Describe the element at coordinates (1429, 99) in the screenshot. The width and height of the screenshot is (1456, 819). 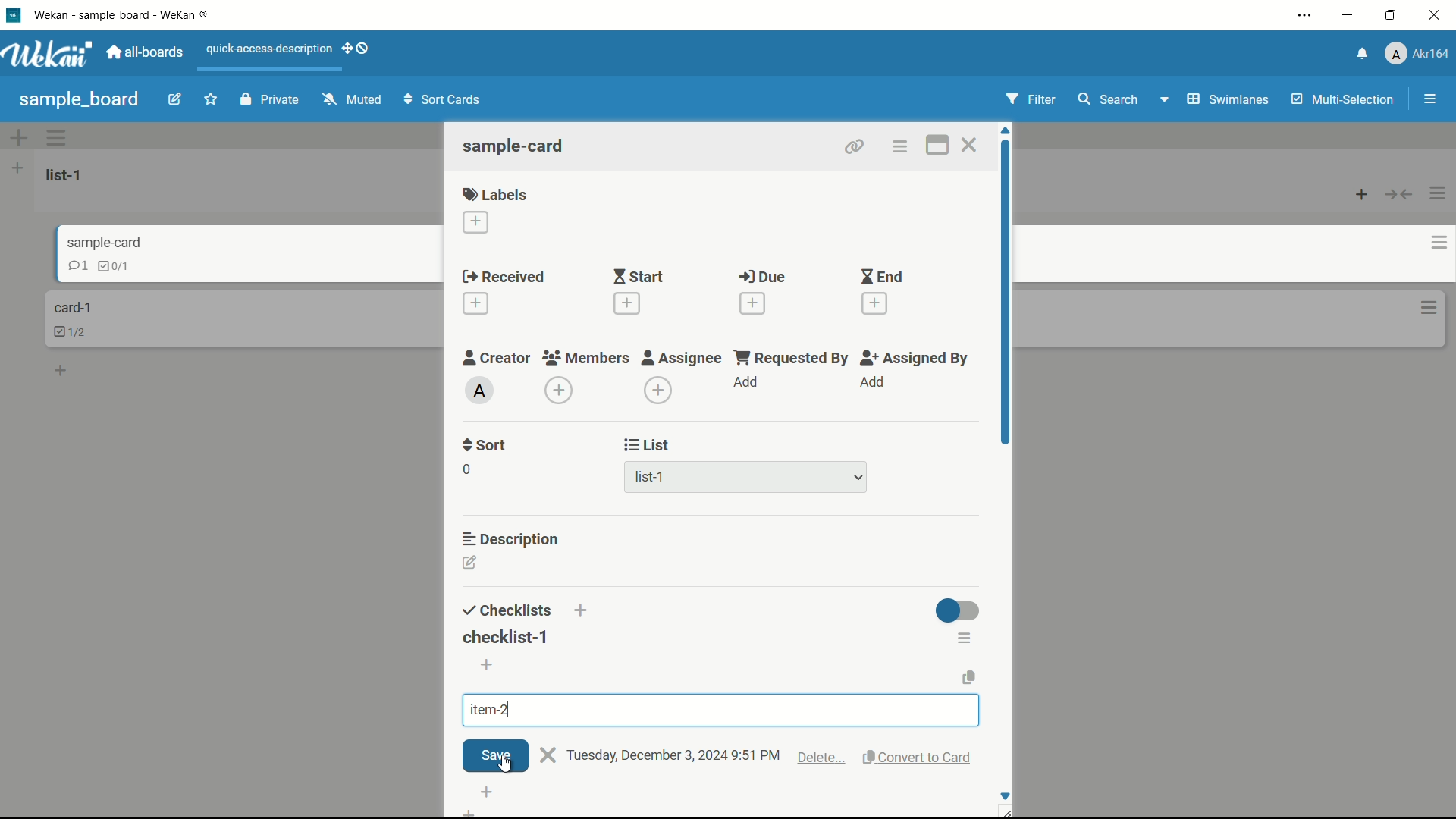
I see `open or close sidebar` at that location.